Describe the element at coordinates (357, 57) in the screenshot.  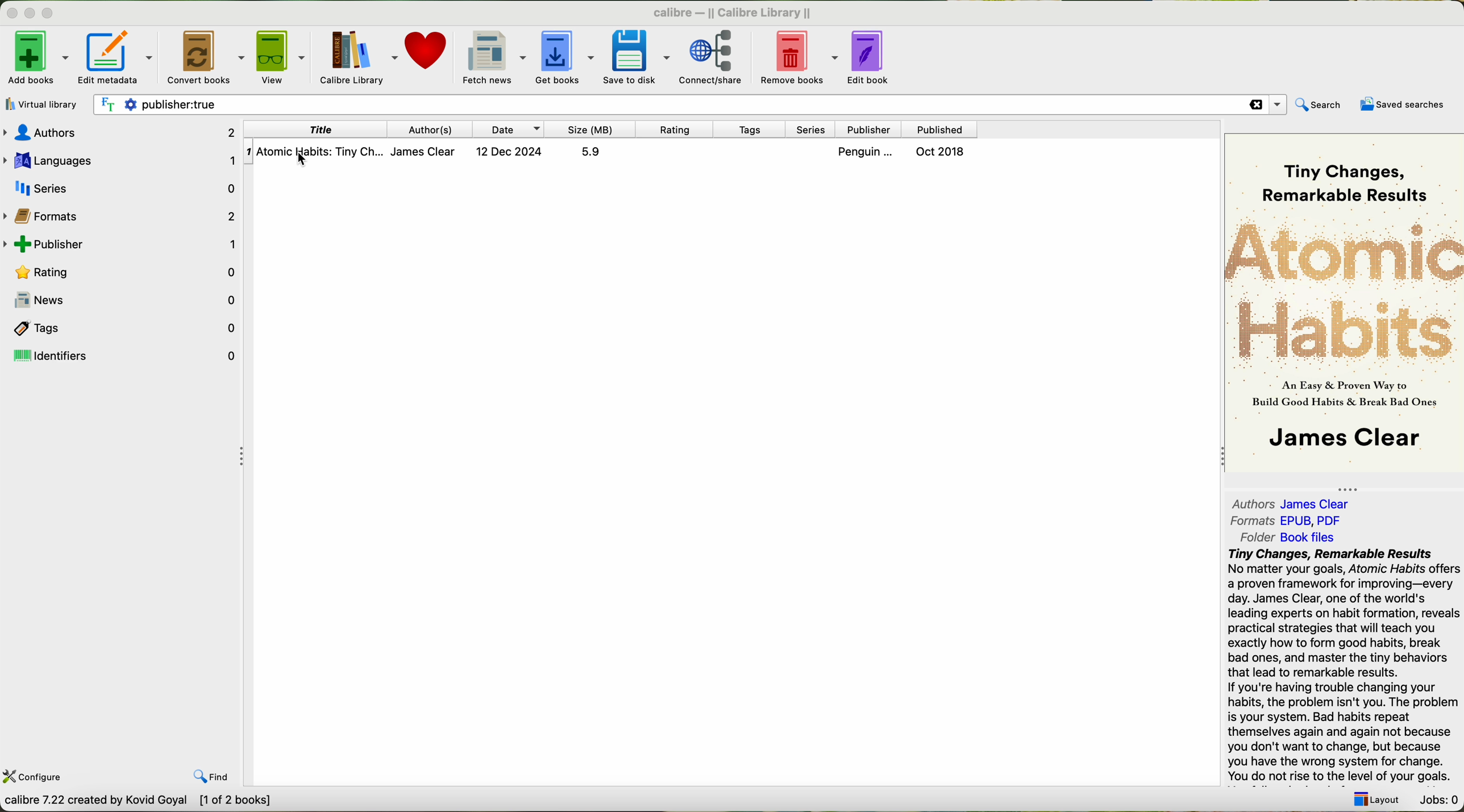
I see `Calibre library` at that location.